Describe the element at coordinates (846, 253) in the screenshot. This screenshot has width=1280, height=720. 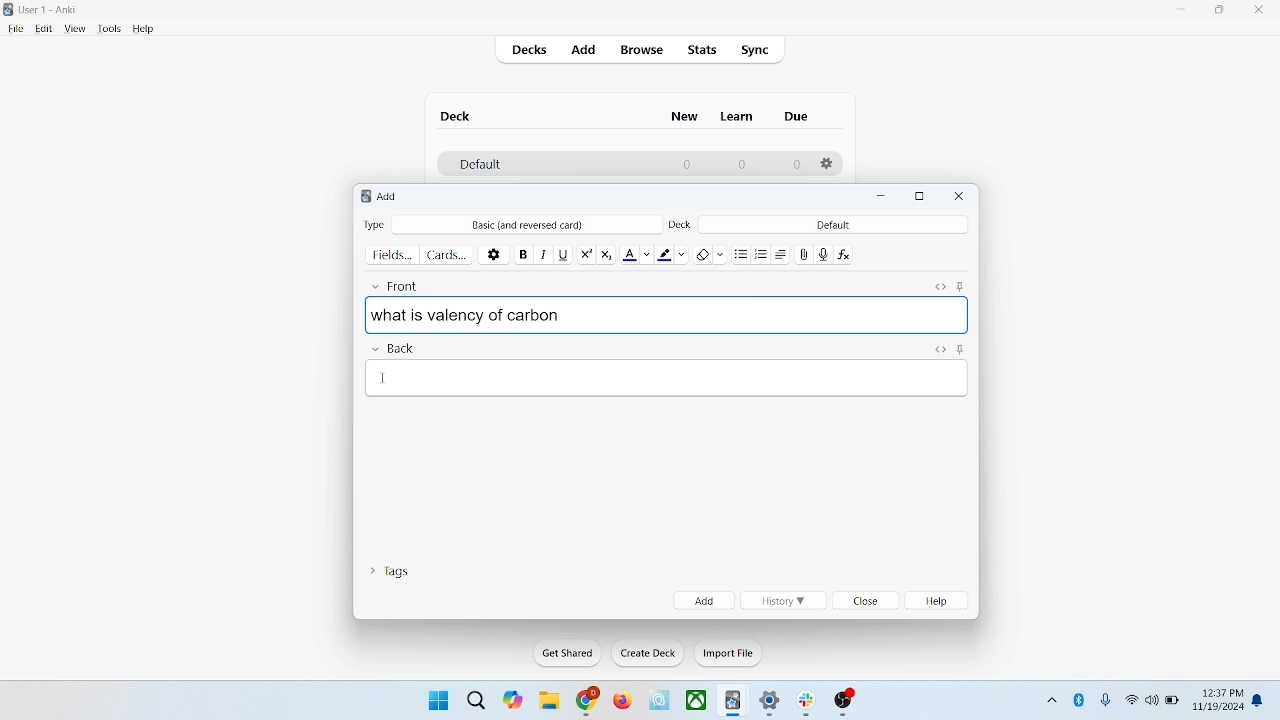
I see `function` at that location.